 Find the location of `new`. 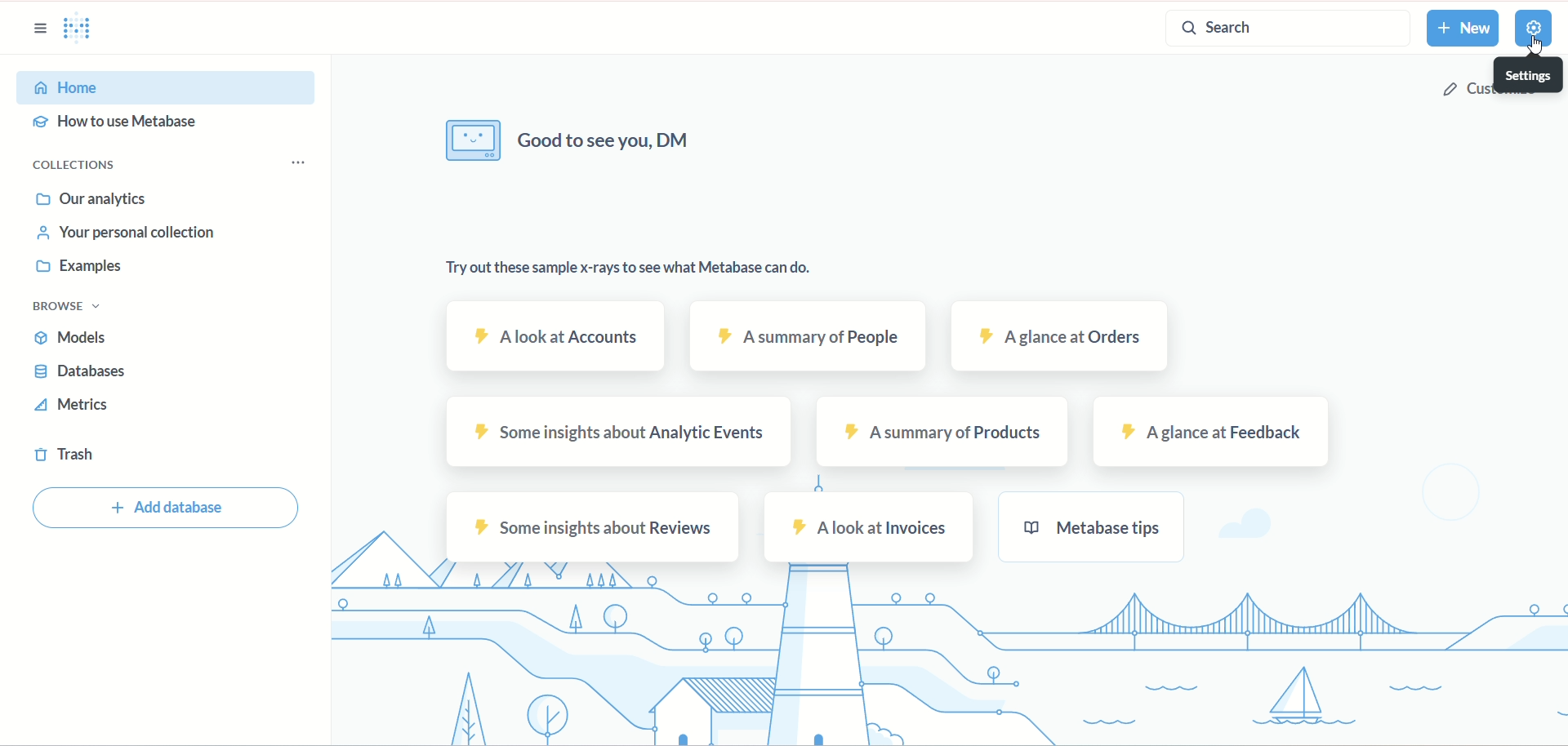

new is located at coordinates (1464, 27).